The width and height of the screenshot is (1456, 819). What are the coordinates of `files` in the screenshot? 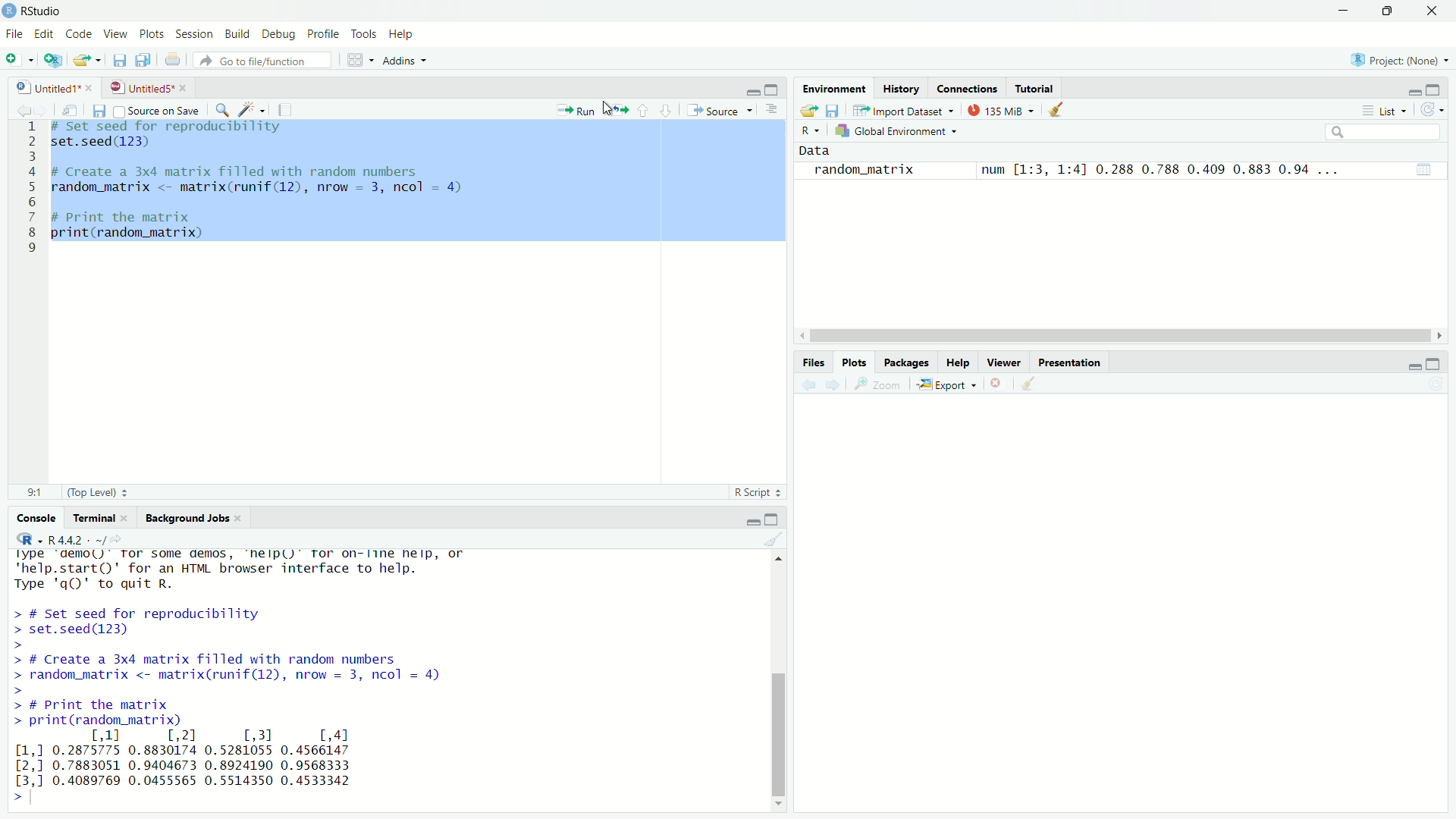 It's located at (116, 60).